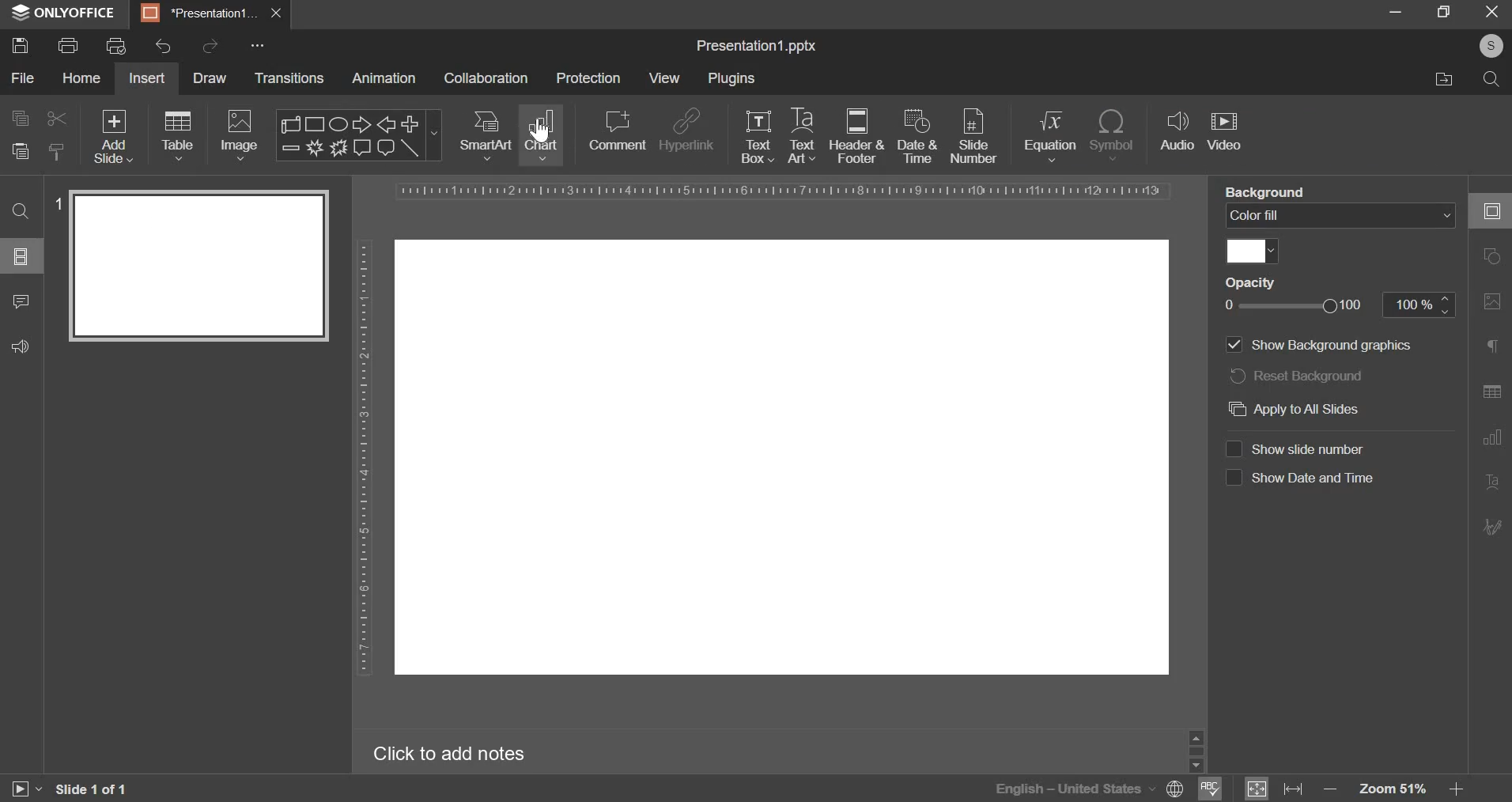 This screenshot has width=1512, height=802. What do you see at coordinates (19, 119) in the screenshot?
I see `copy` at bounding box center [19, 119].